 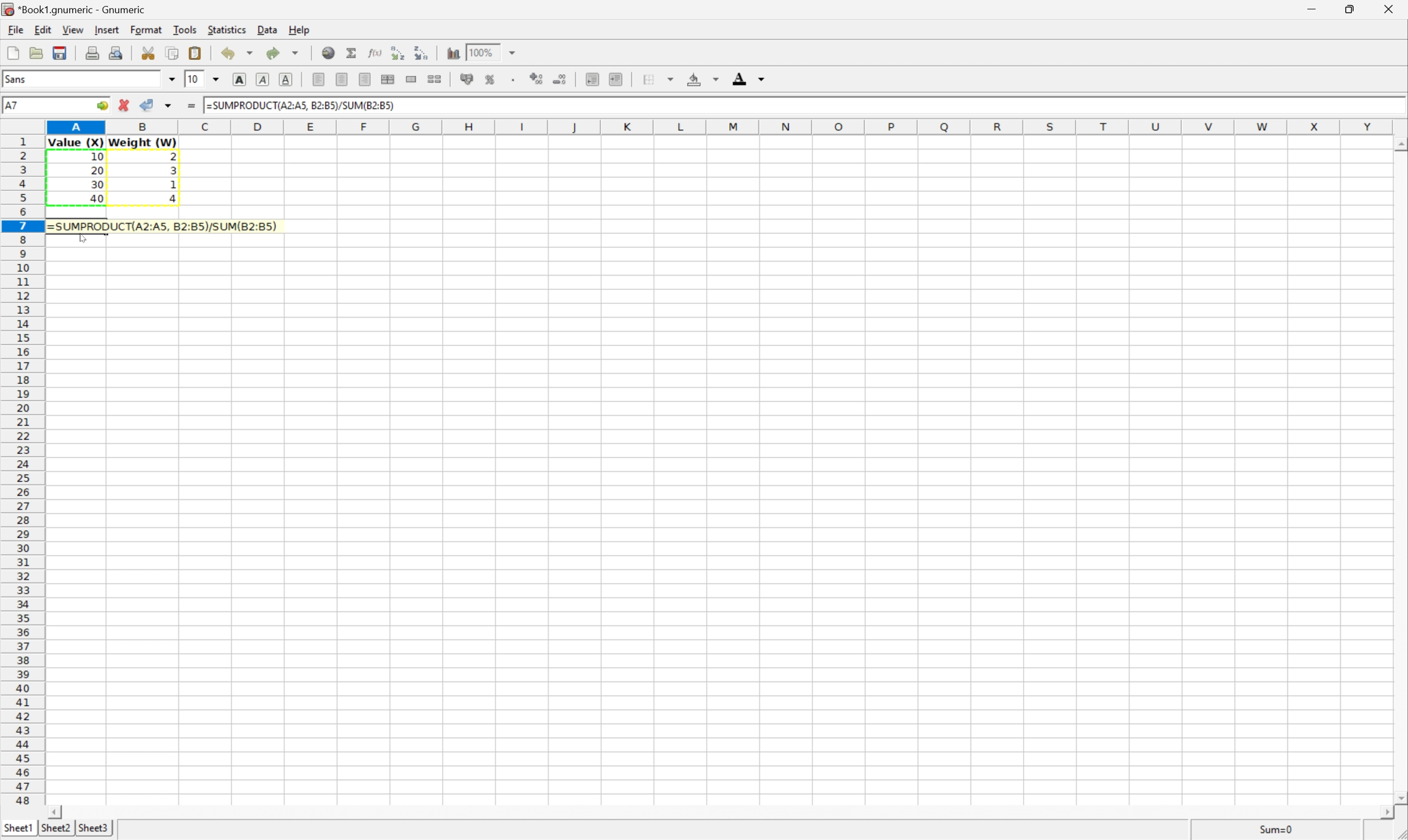 What do you see at coordinates (146, 30) in the screenshot?
I see `Format` at bounding box center [146, 30].